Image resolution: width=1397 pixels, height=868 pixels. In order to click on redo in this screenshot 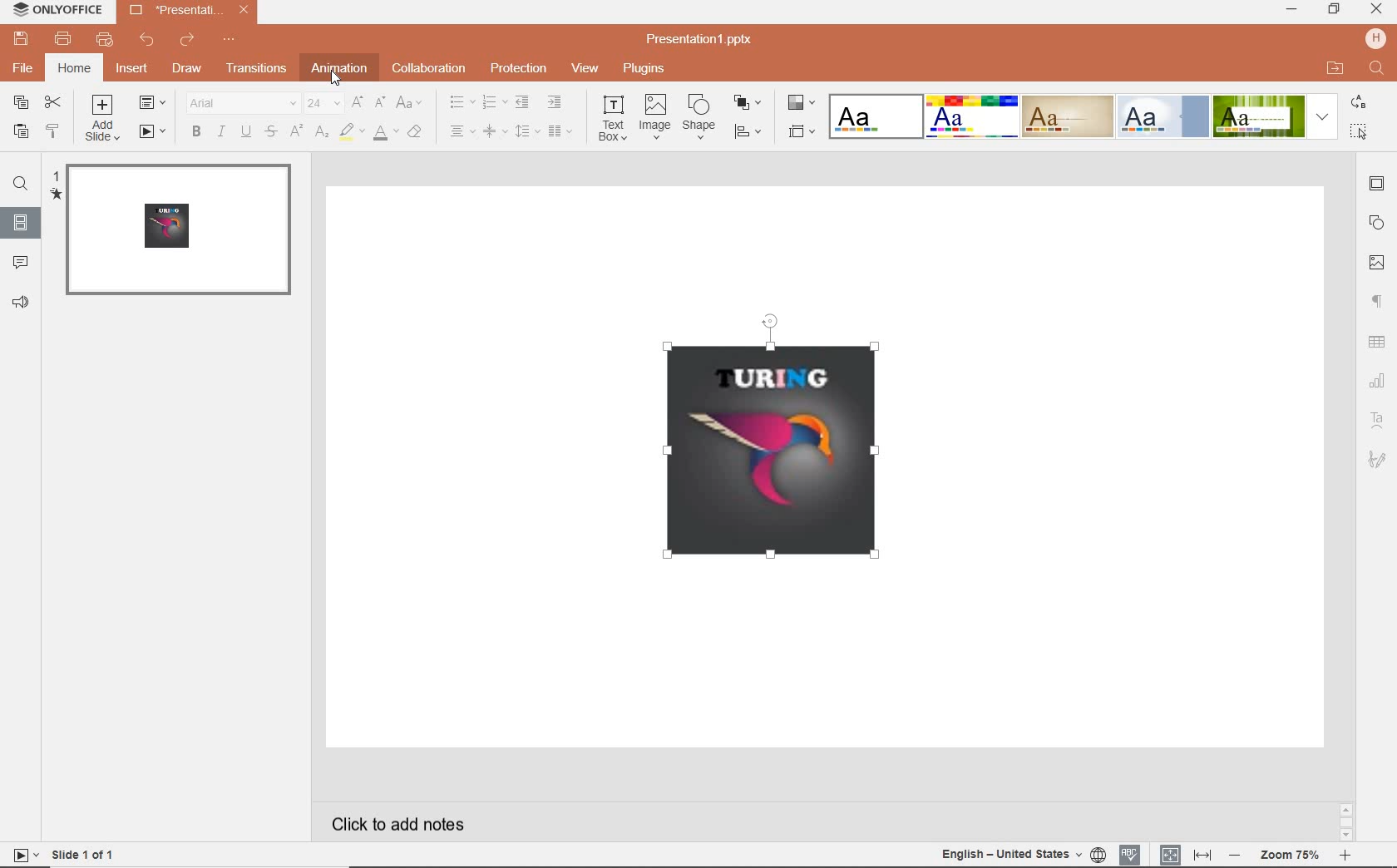, I will do `click(185, 40)`.